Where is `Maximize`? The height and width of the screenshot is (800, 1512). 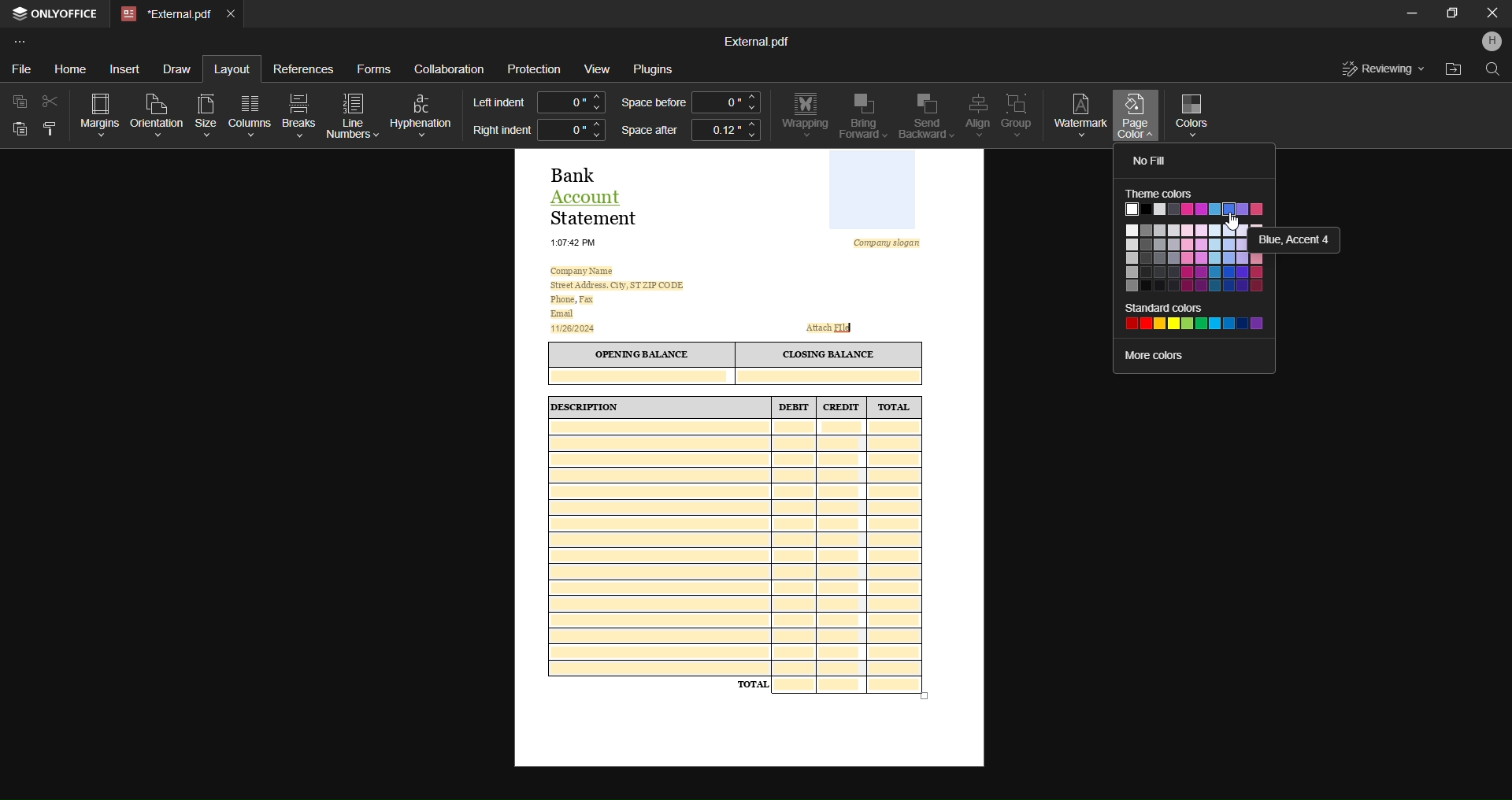
Maximize is located at coordinates (1448, 17).